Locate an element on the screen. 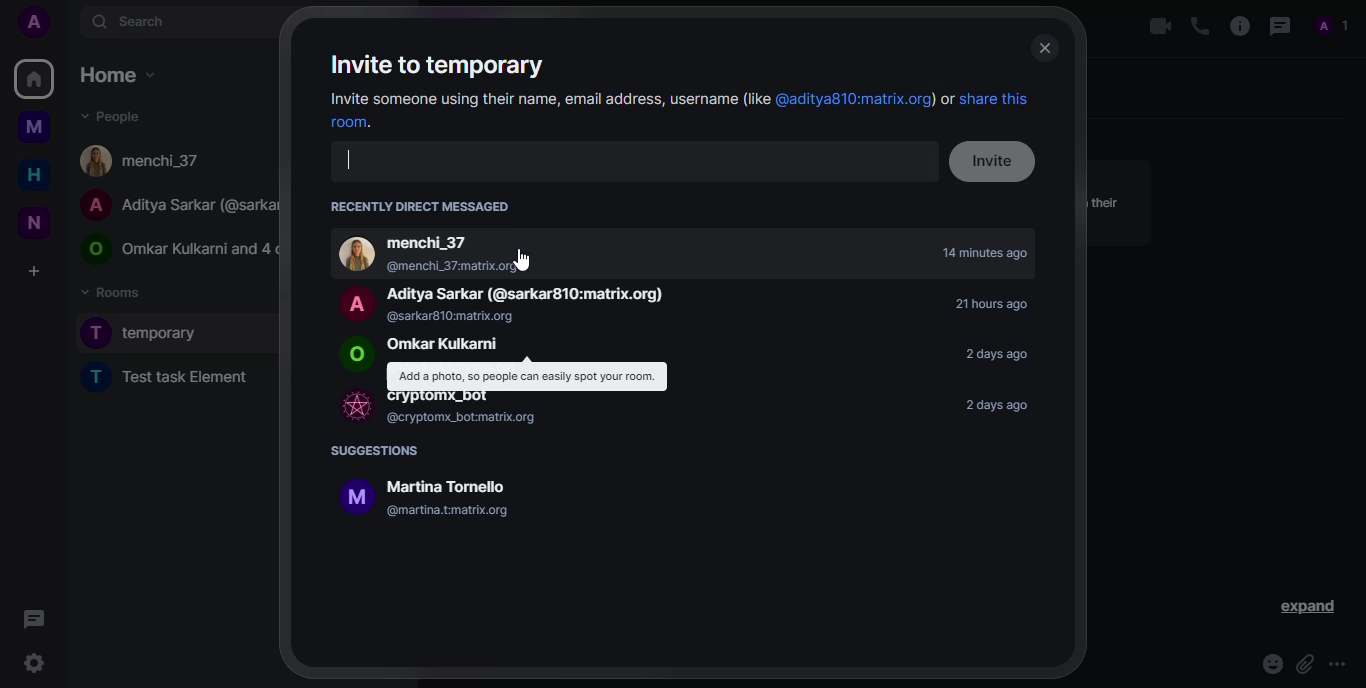 This screenshot has width=1366, height=688. threads is located at coordinates (34, 617).